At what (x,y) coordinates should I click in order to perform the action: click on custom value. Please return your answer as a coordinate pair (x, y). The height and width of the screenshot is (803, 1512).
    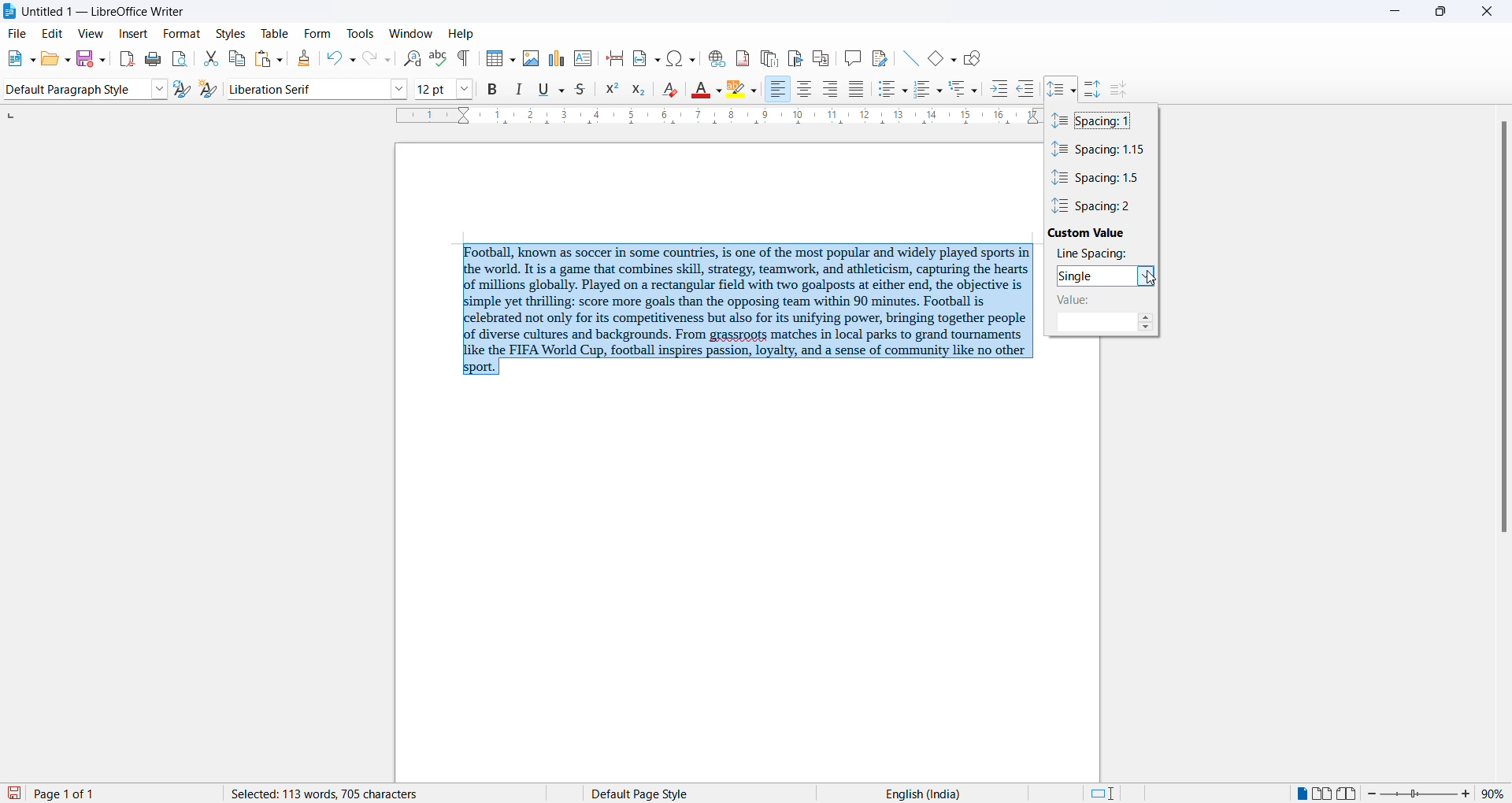
    Looking at the image, I should click on (1094, 230).